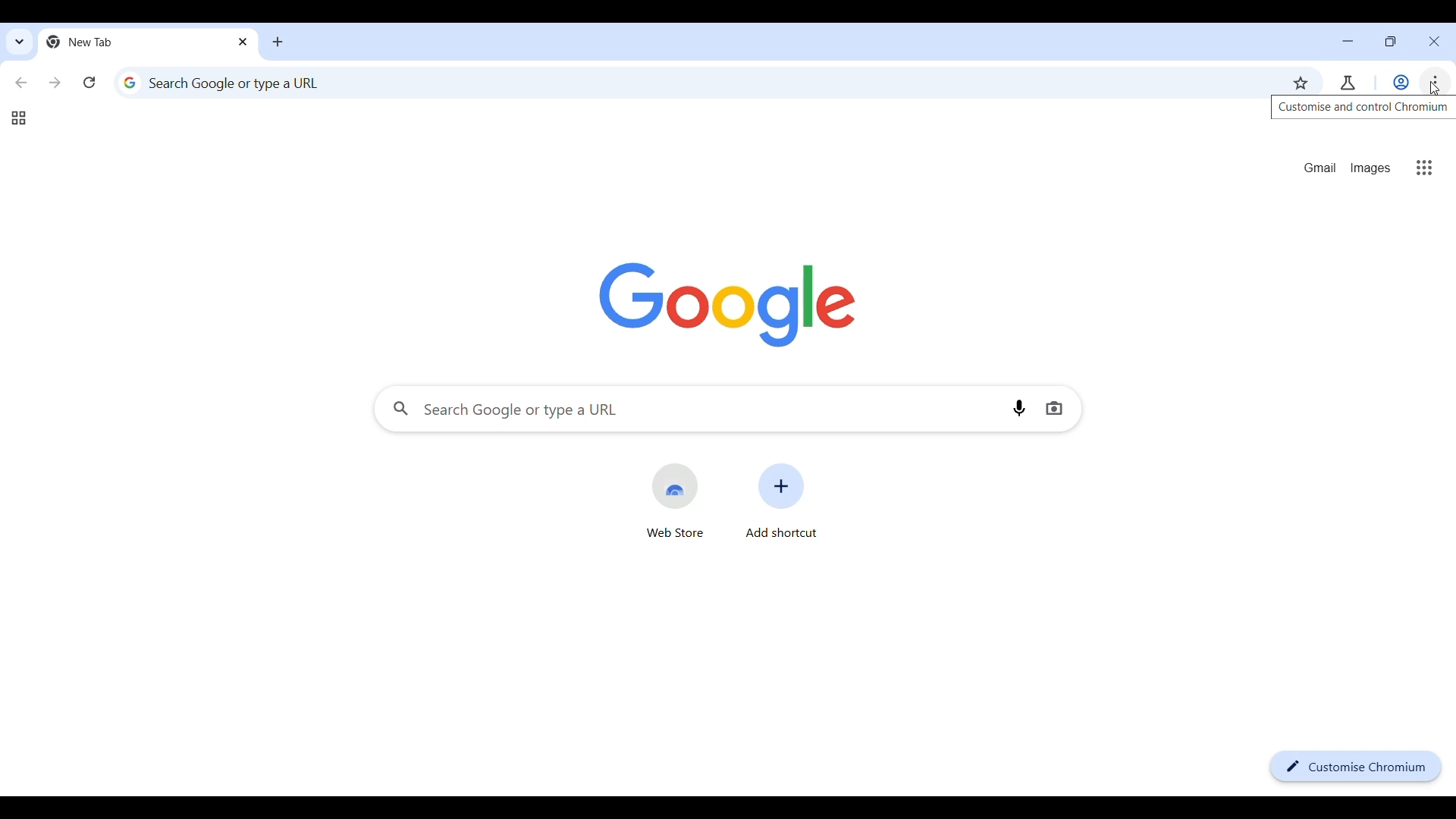  Describe the element at coordinates (675, 501) in the screenshot. I see `Open web store` at that location.